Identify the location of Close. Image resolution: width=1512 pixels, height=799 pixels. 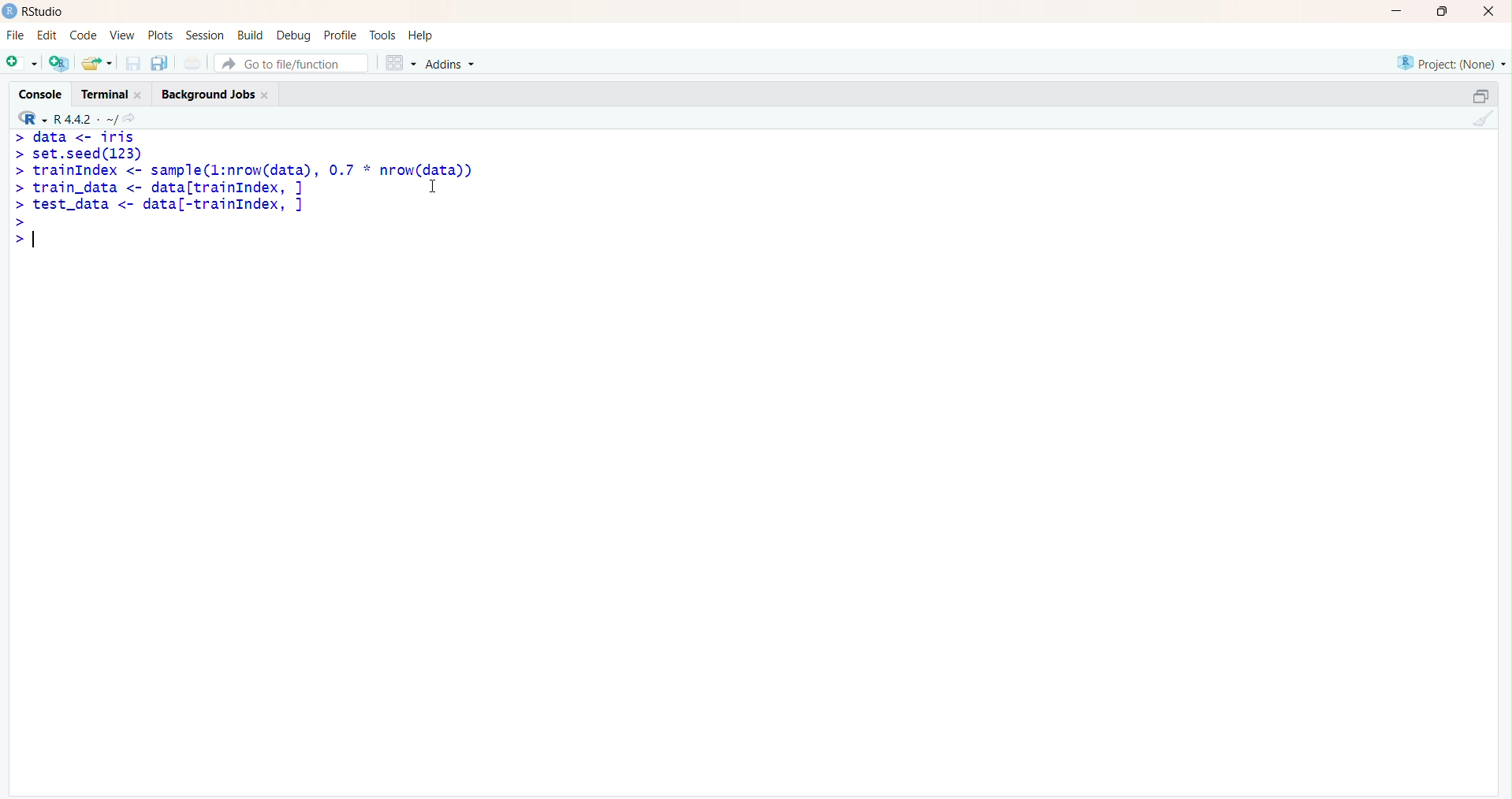
(1489, 13).